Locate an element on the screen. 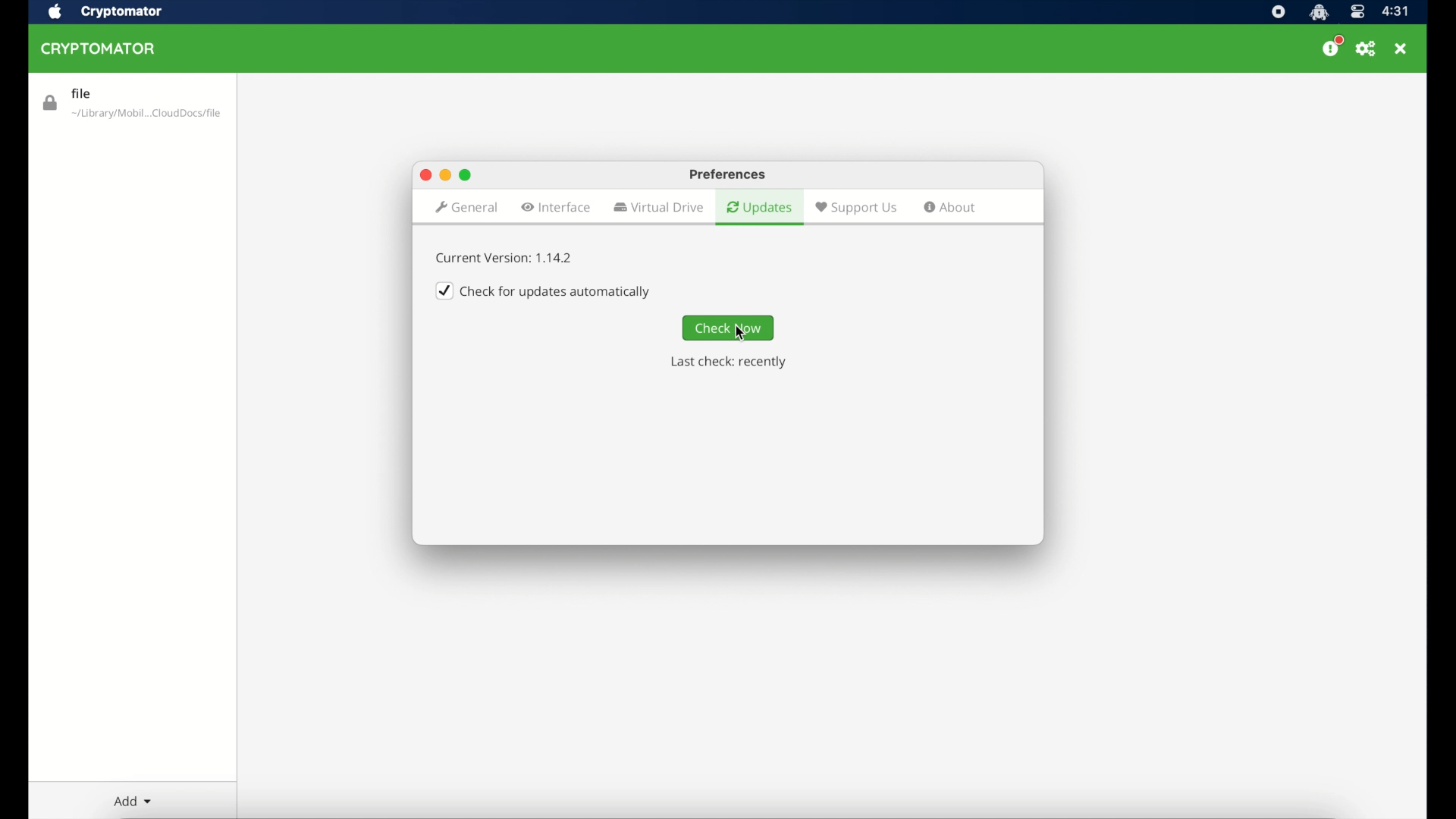  close is located at coordinates (1402, 49).